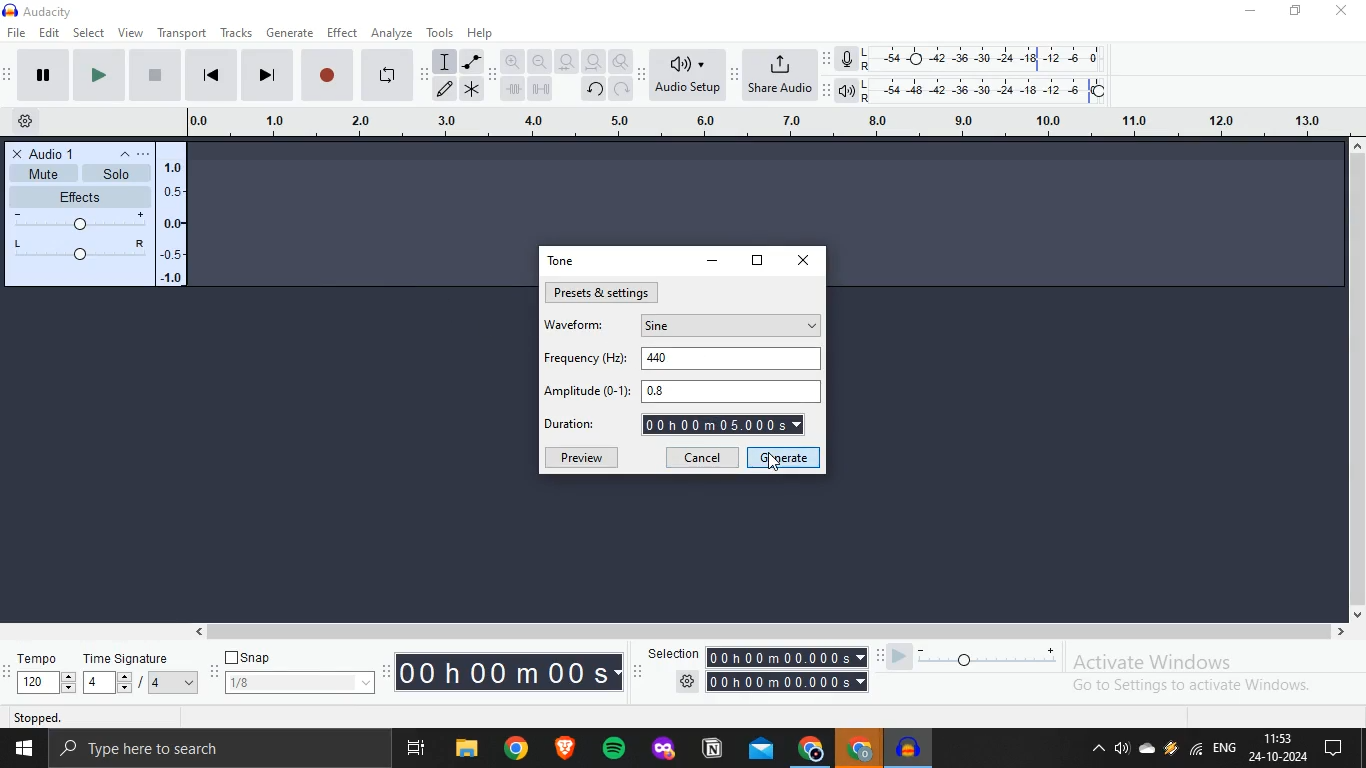  What do you see at coordinates (1228, 748) in the screenshot?
I see `Language` at bounding box center [1228, 748].